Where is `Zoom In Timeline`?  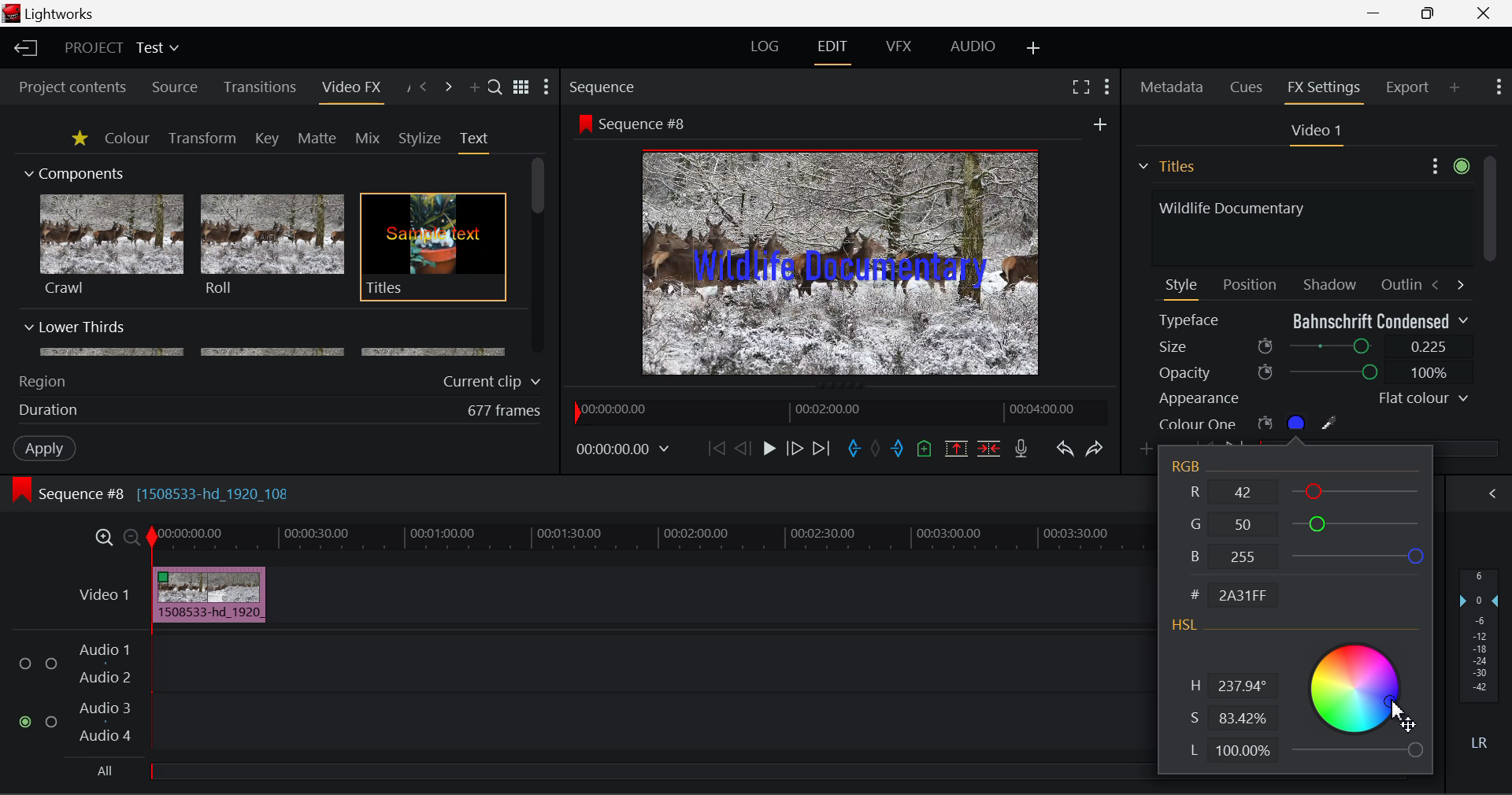 Zoom In Timeline is located at coordinates (104, 542).